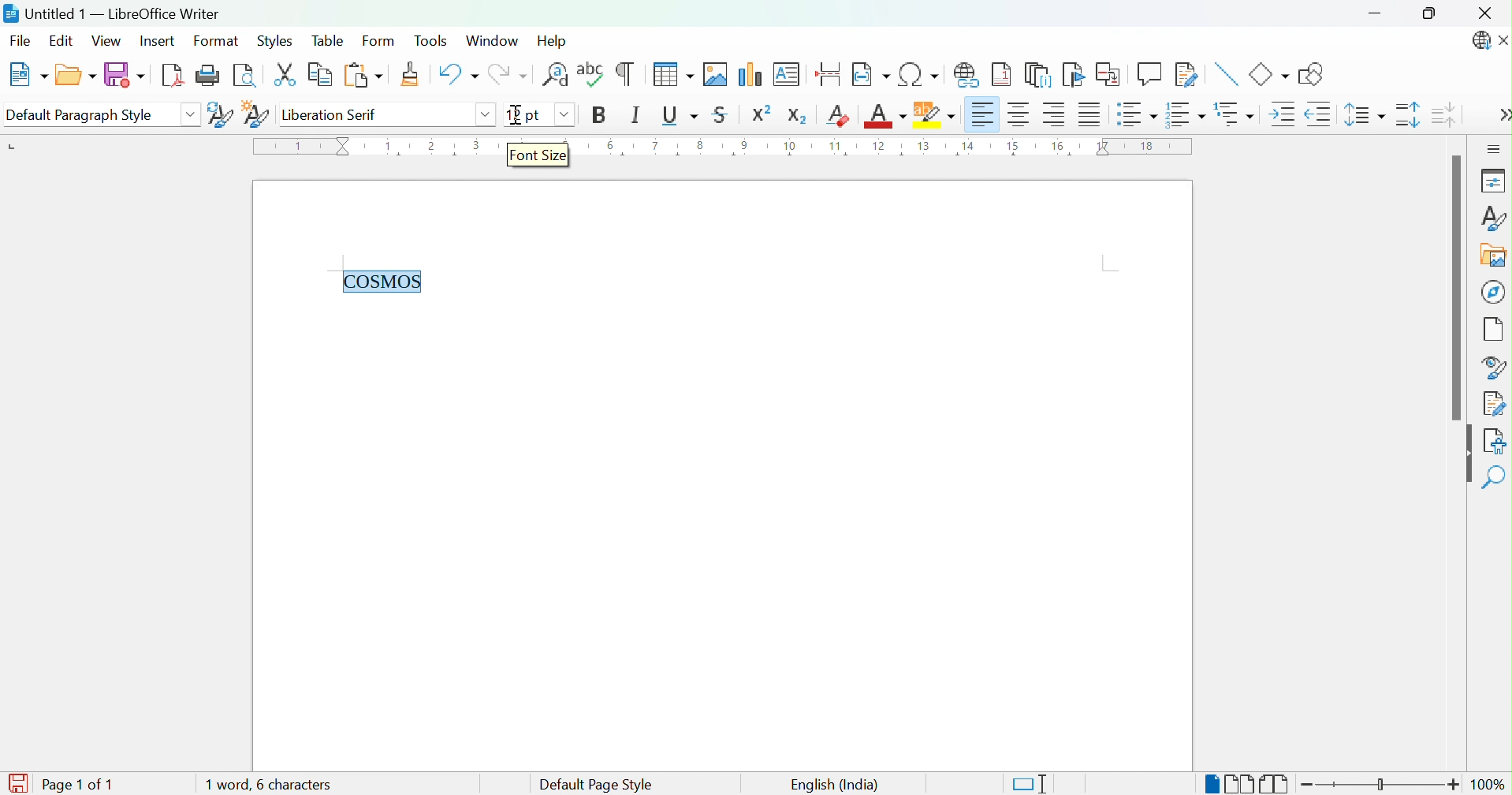 Image resolution: width=1512 pixels, height=795 pixels. I want to click on Book view, so click(1275, 785).